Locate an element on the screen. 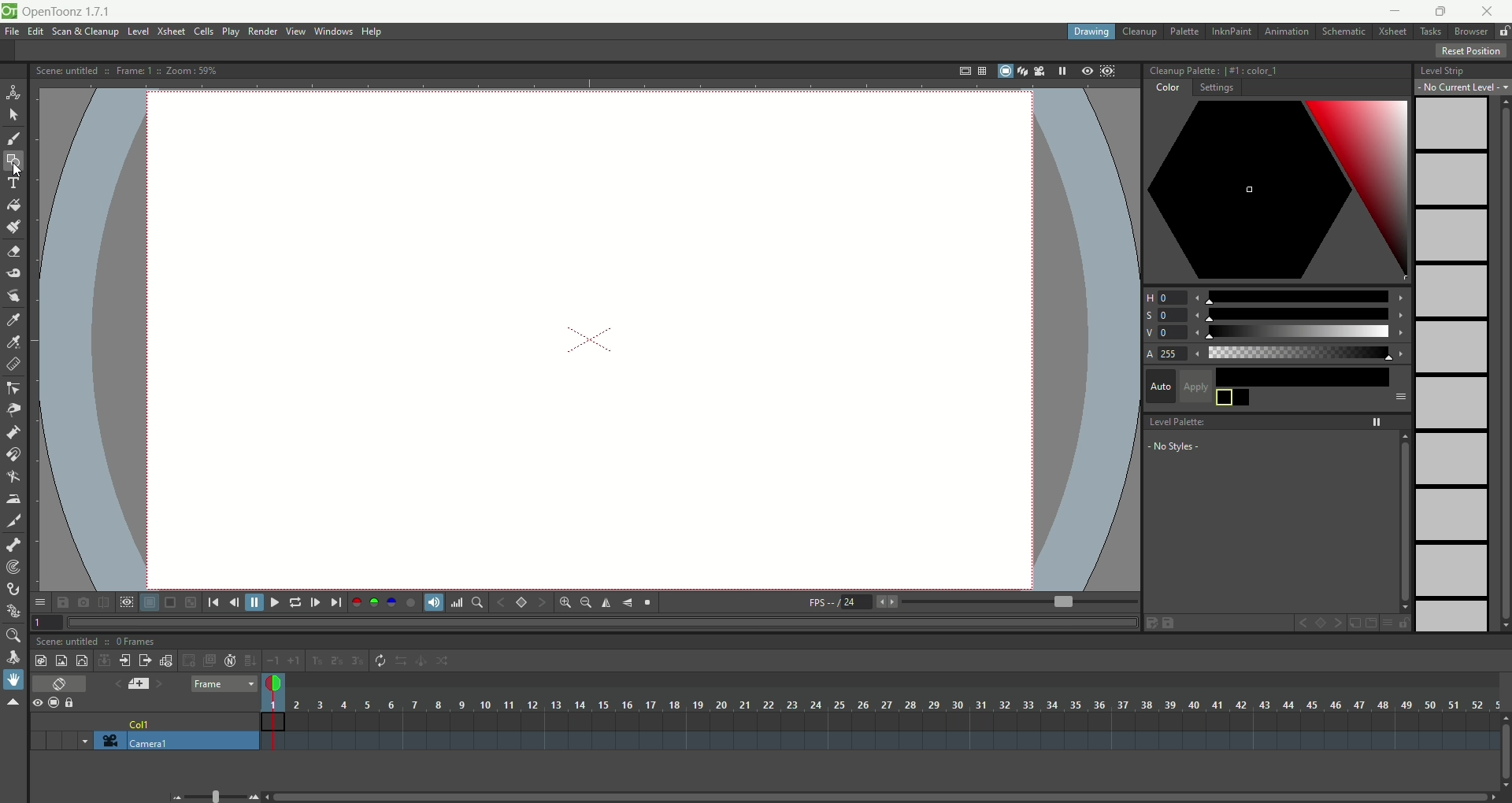  new toonz raster level is located at coordinates (40, 661).